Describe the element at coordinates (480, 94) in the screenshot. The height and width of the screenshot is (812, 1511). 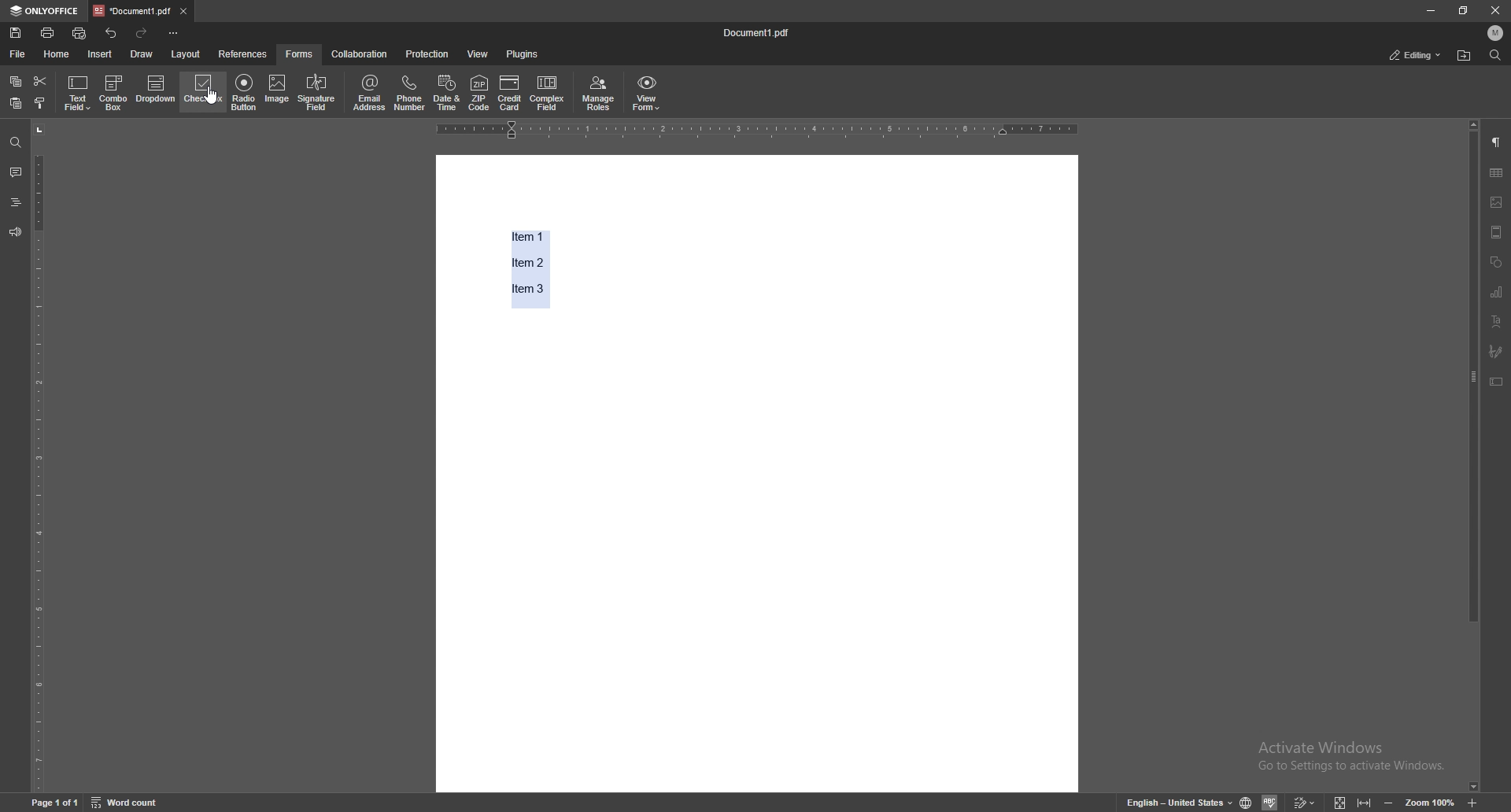
I see `zip code` at that location.